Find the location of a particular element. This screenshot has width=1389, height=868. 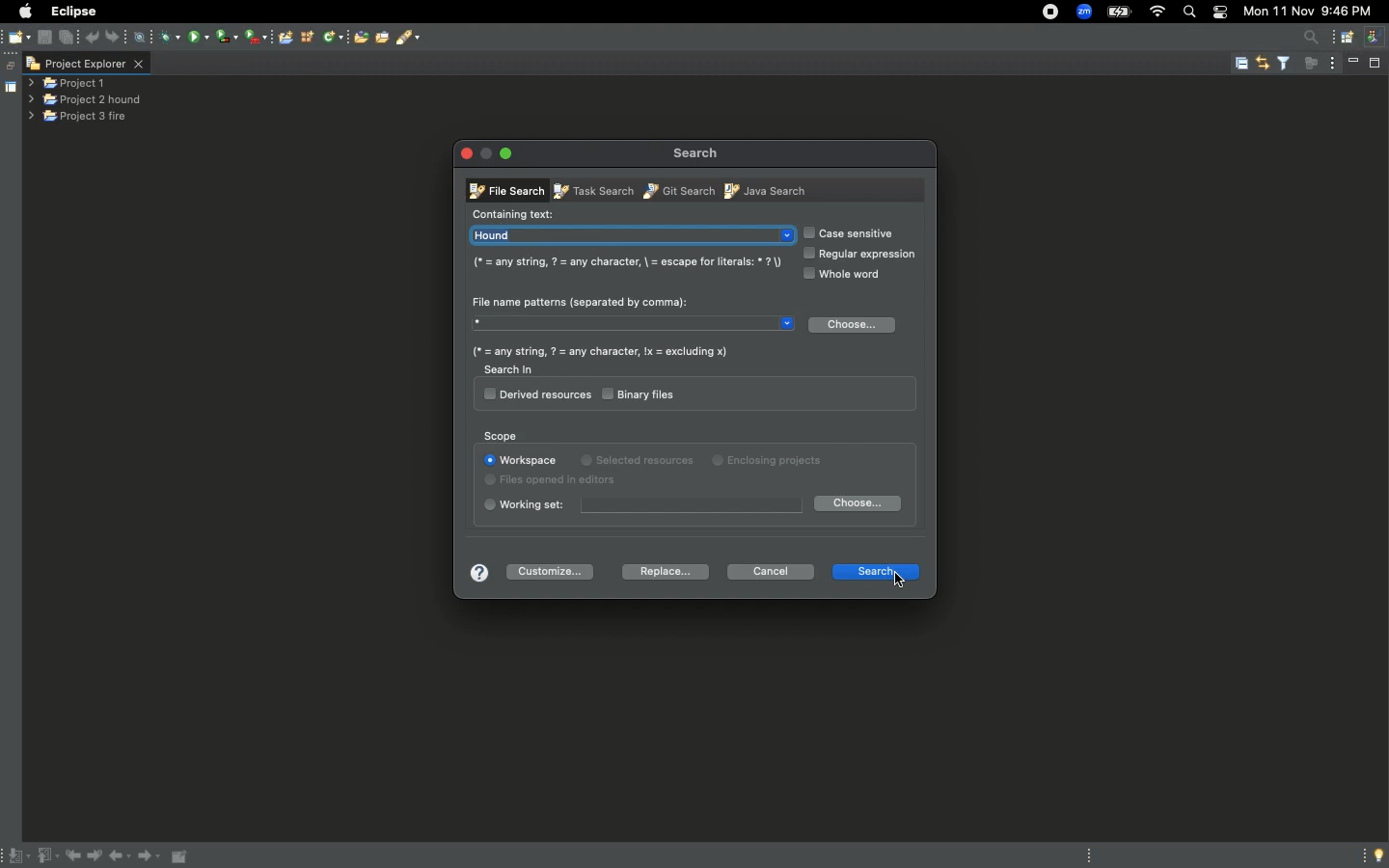

undo is located at coordinates (92, 36).